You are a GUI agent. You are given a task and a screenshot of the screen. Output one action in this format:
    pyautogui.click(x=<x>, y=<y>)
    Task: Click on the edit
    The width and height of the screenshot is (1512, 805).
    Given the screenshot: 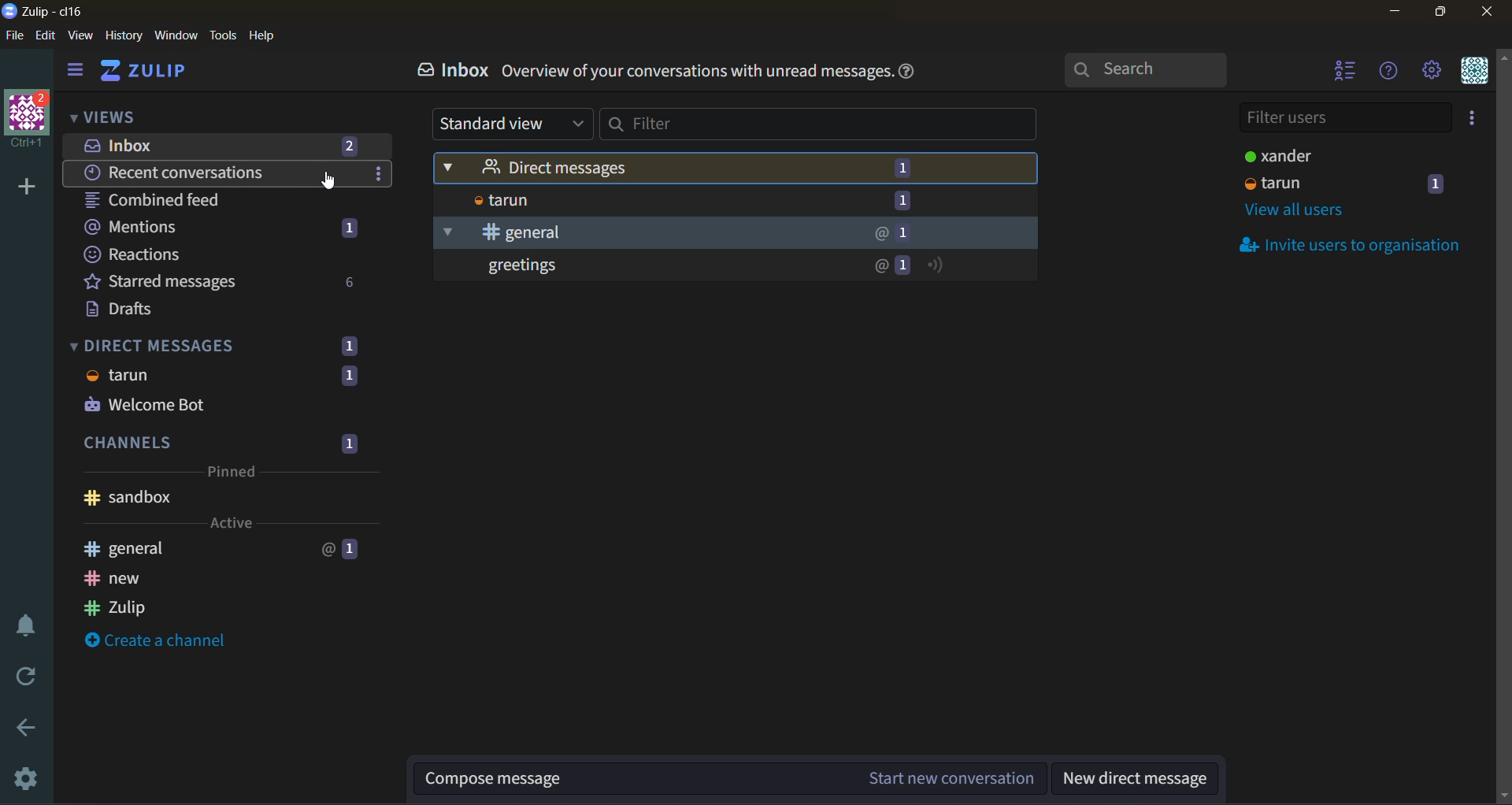 What is the action you would take?
    pyautogui.click(x=47, y=35)
    